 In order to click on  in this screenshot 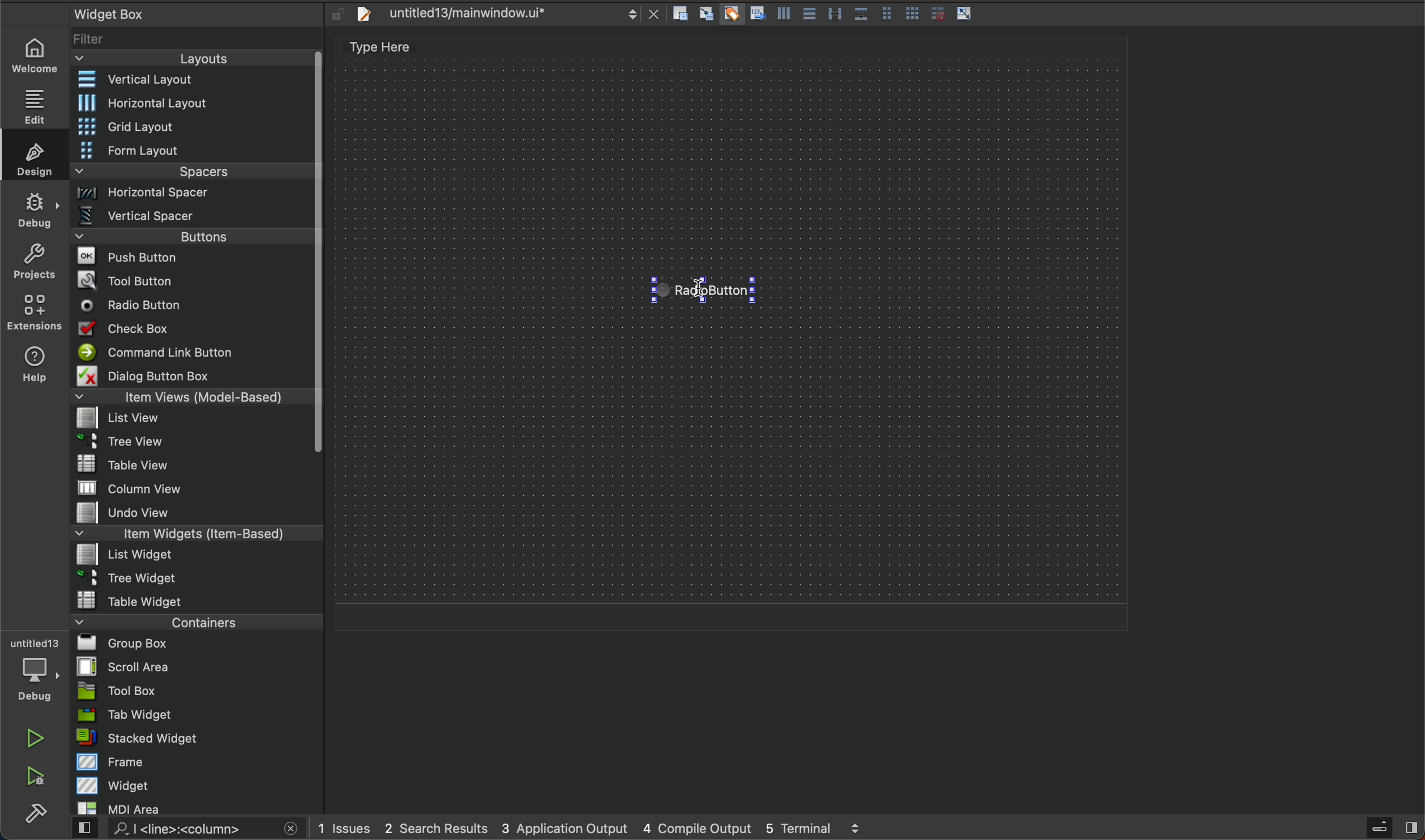, I will do `click(756, 15)`.